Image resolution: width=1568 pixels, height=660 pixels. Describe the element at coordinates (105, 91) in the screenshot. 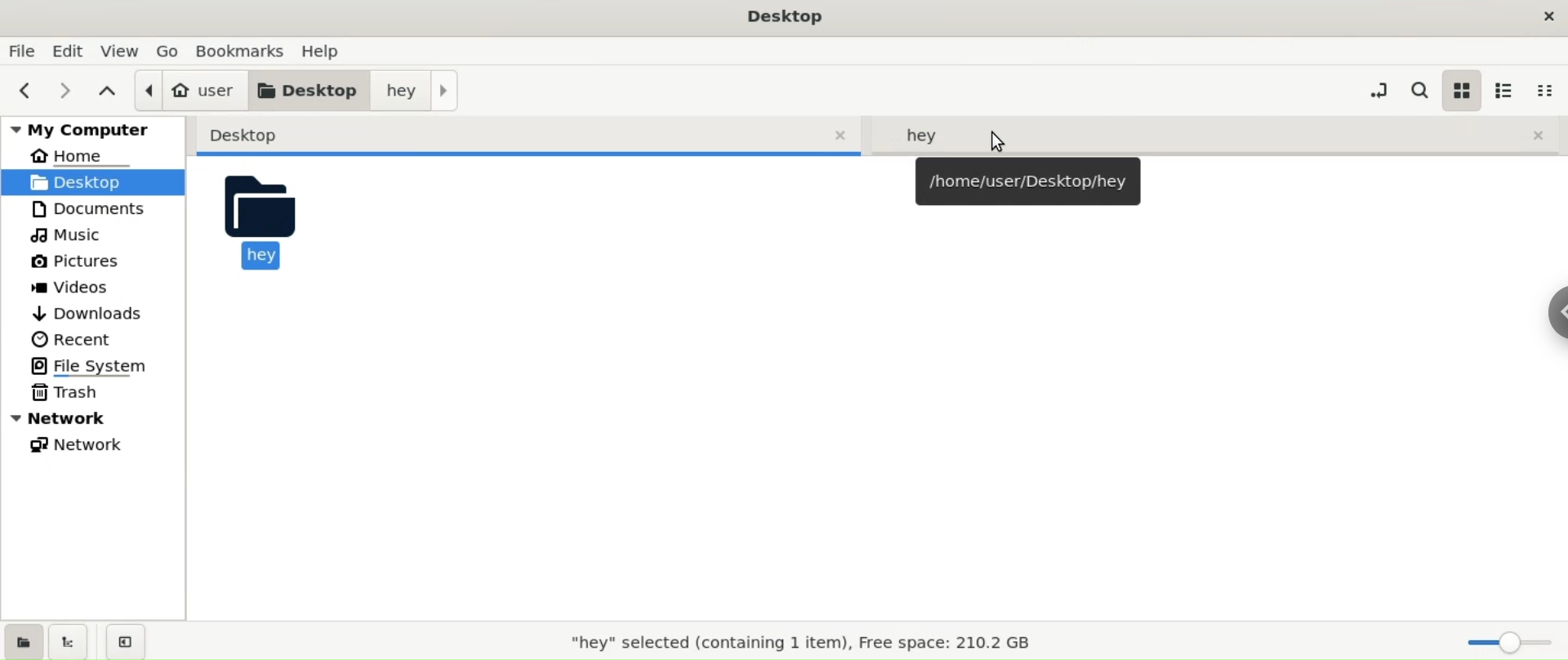

I see `parent folder` at that location.